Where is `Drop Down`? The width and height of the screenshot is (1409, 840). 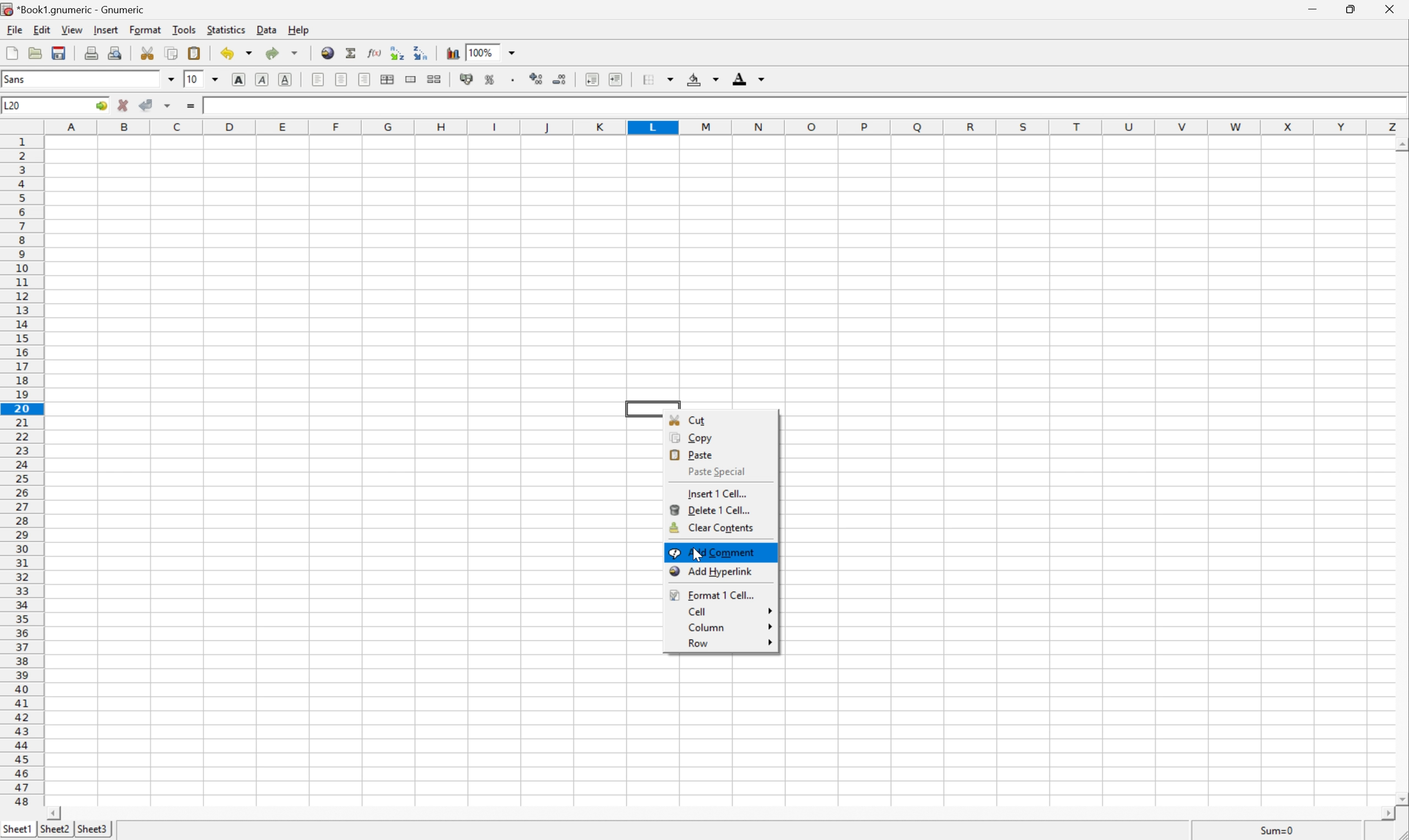 Drop Down is located at coordinates (769, 609).